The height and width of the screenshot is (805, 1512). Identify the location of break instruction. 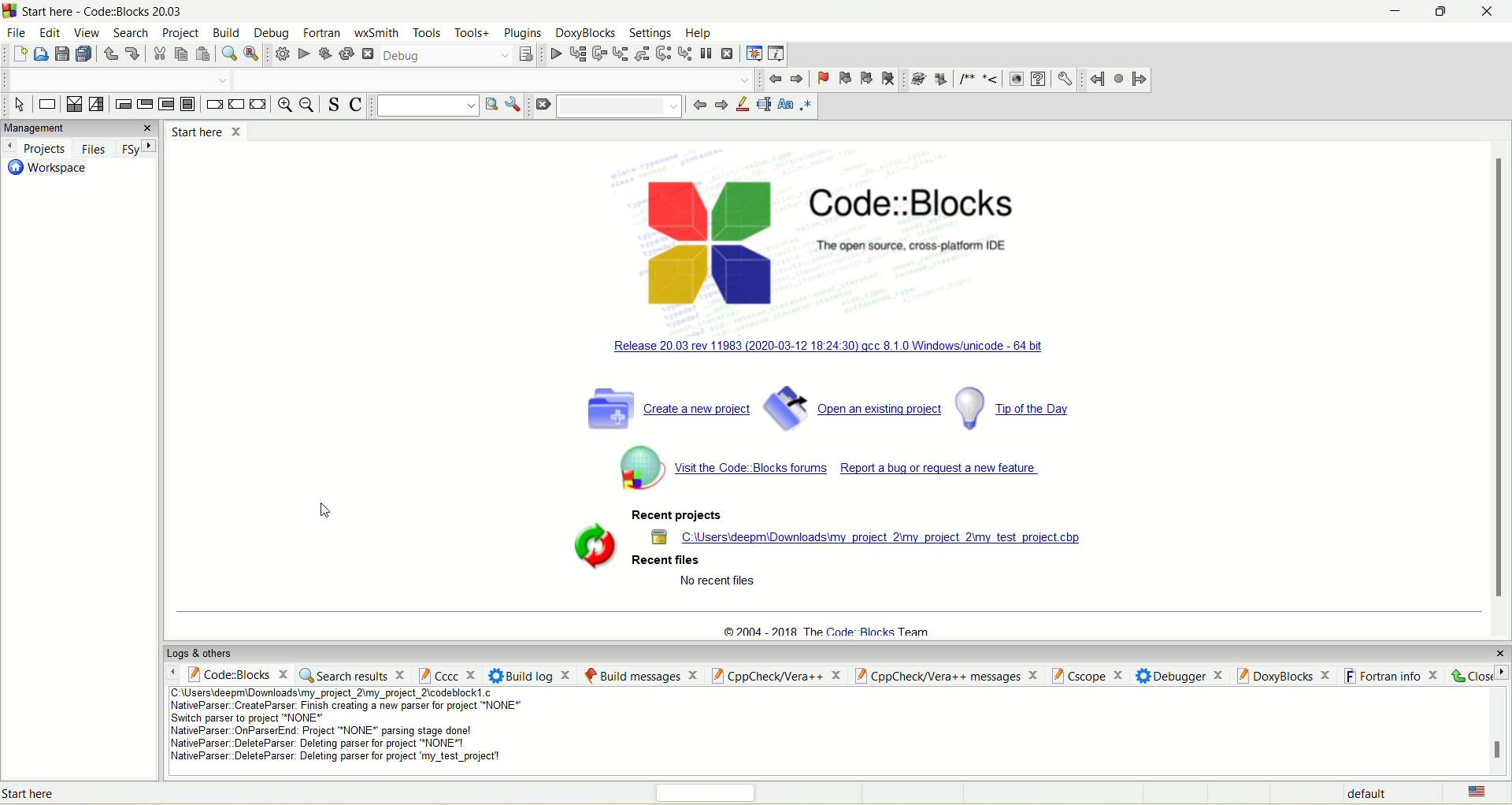
(213, 105).